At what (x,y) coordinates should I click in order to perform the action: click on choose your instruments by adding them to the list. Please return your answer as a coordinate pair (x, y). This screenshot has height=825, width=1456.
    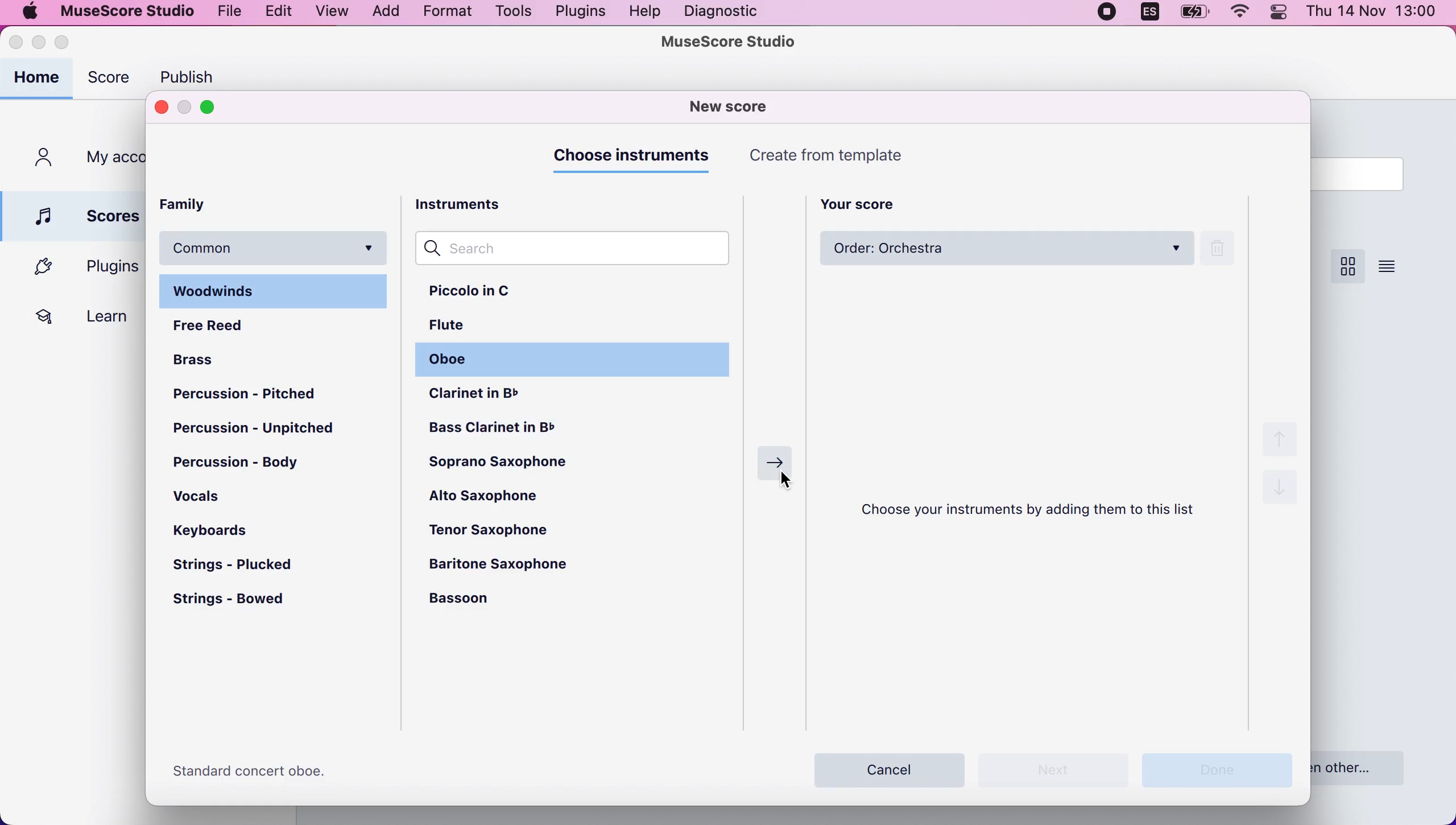
    Looking at the image, I should click on (1036, 510).